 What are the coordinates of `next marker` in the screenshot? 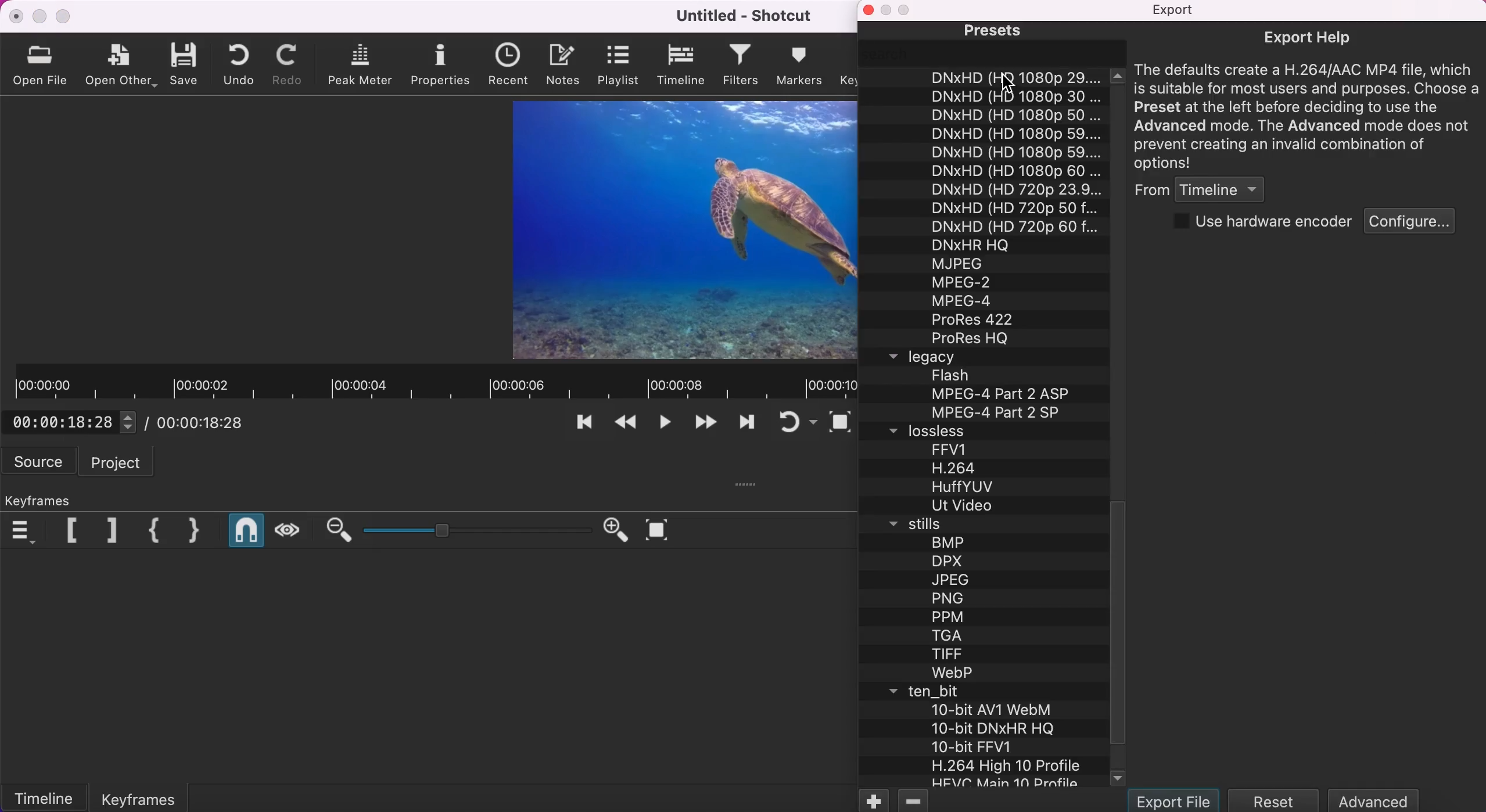 It's located at (105, 529).